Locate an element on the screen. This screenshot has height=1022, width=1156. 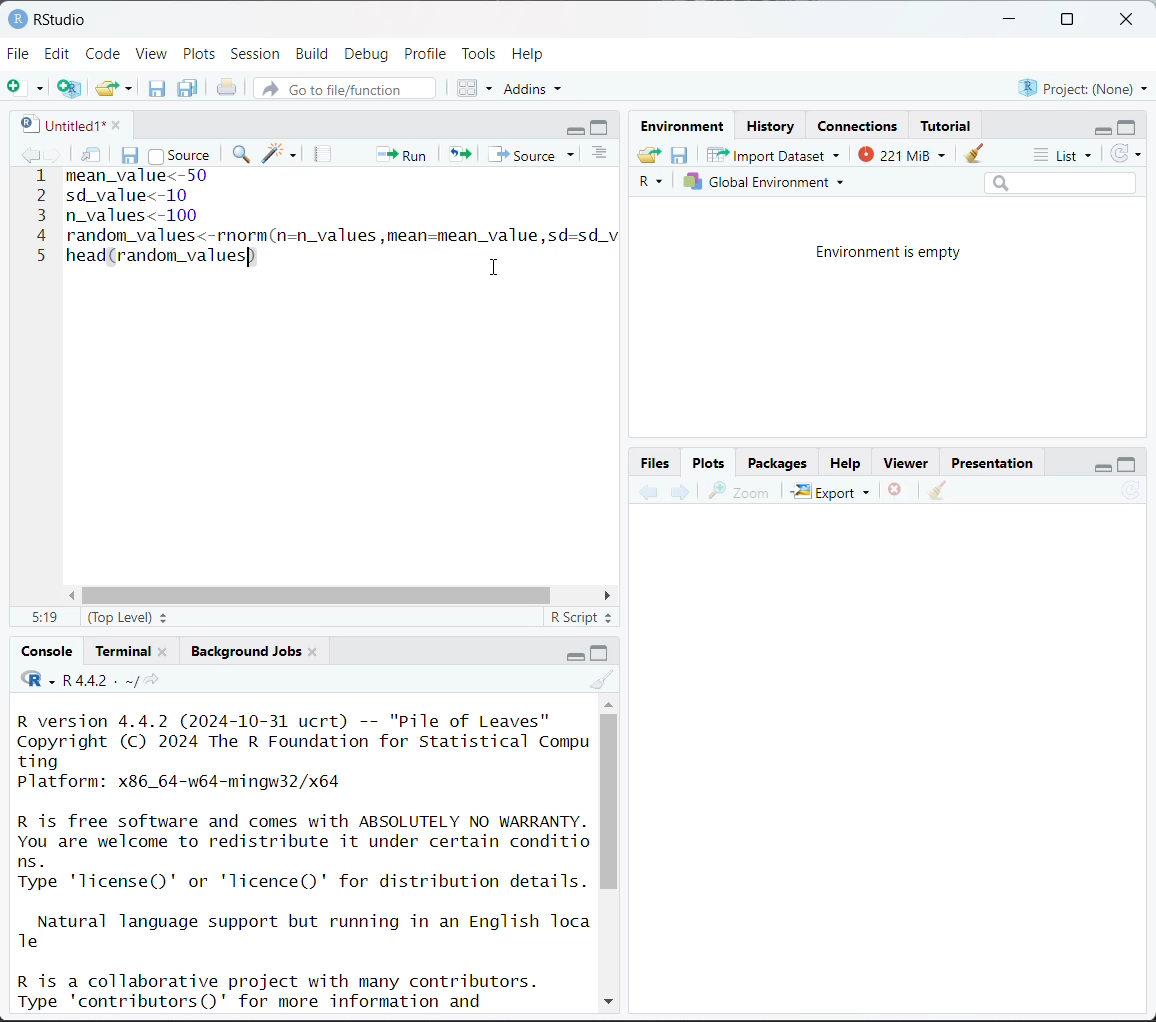
find/replace is located at coordinates (243, 156).